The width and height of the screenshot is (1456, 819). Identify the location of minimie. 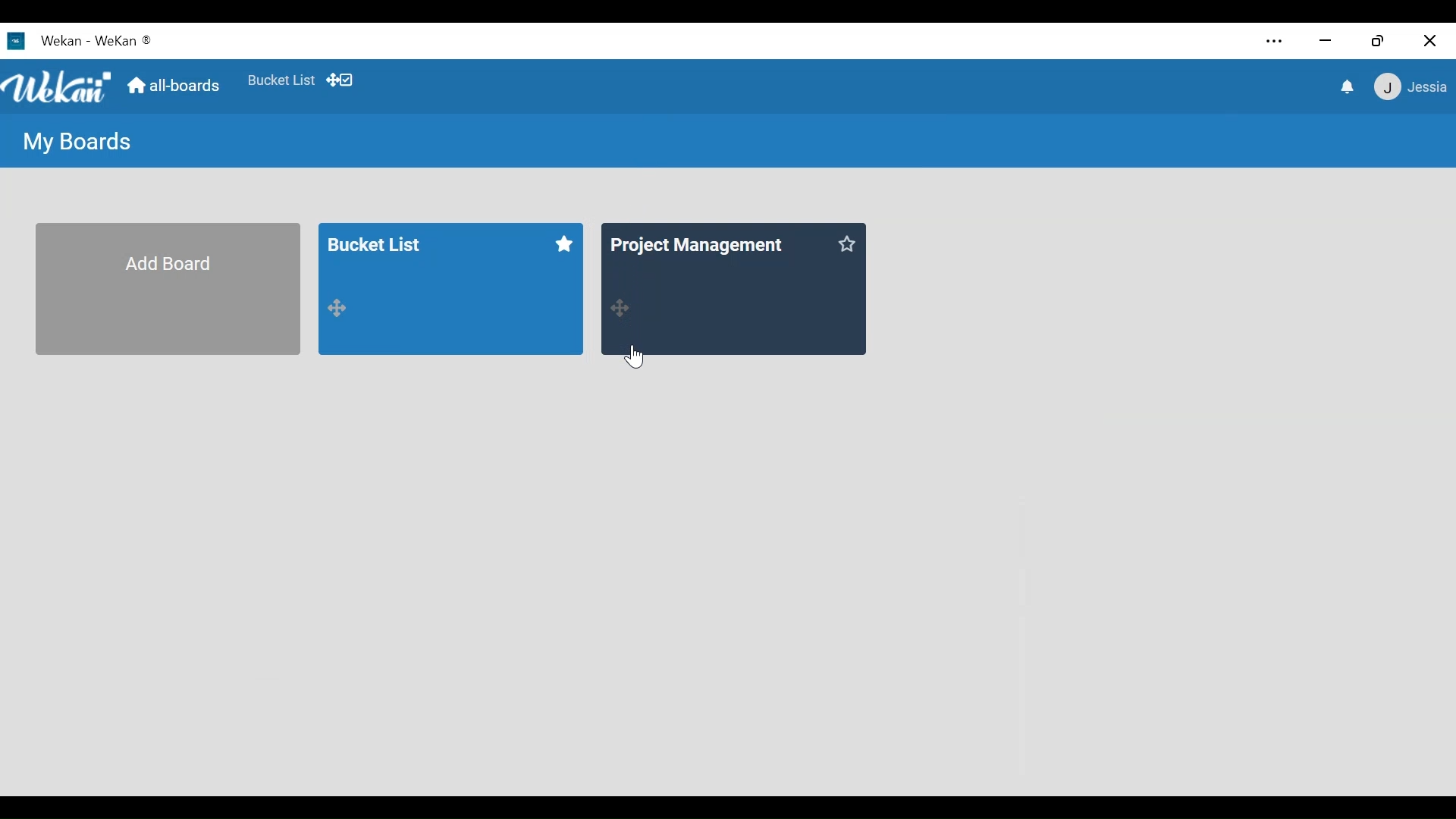
(1325, 41).